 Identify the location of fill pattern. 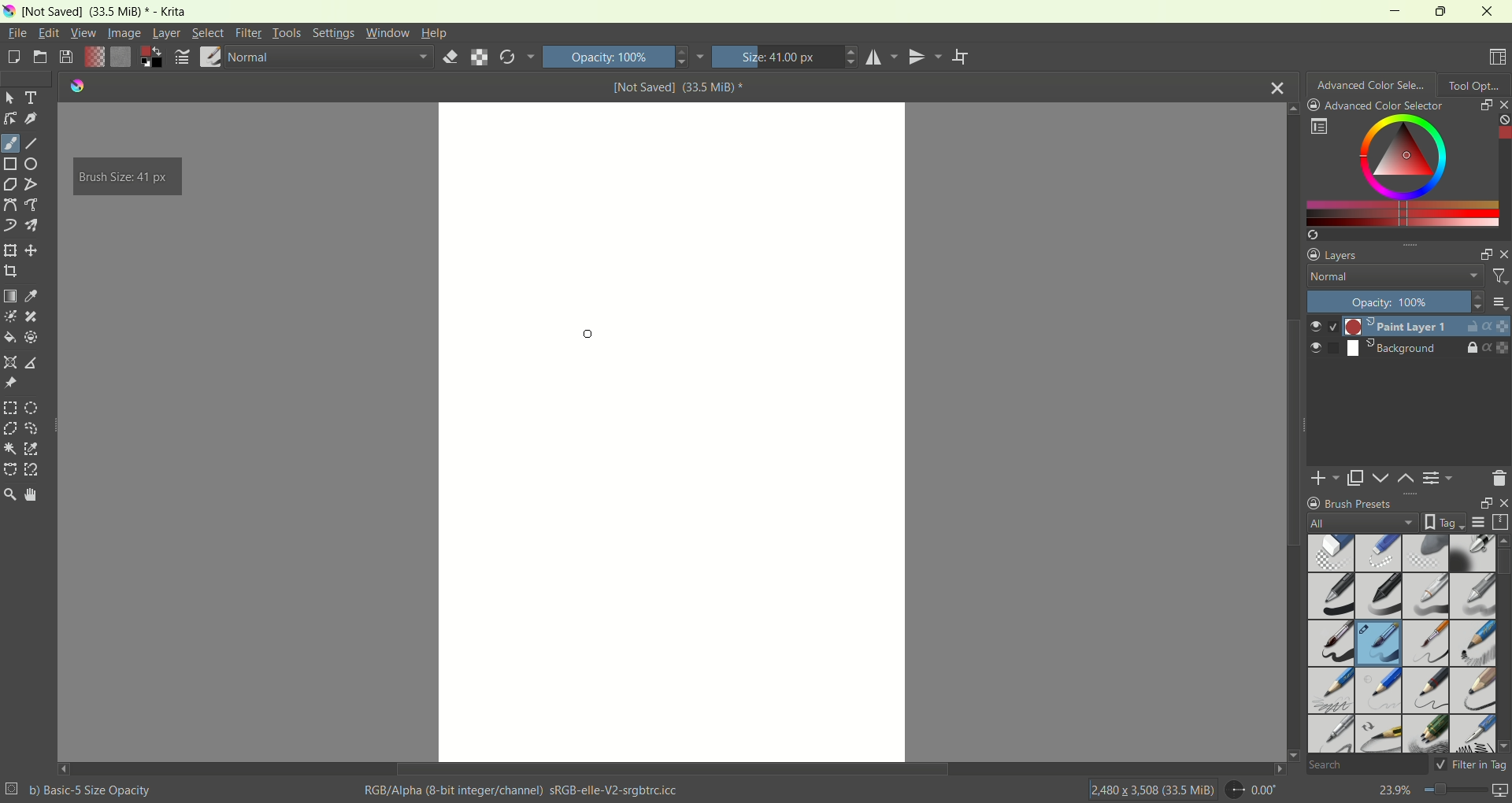
(121, 58).